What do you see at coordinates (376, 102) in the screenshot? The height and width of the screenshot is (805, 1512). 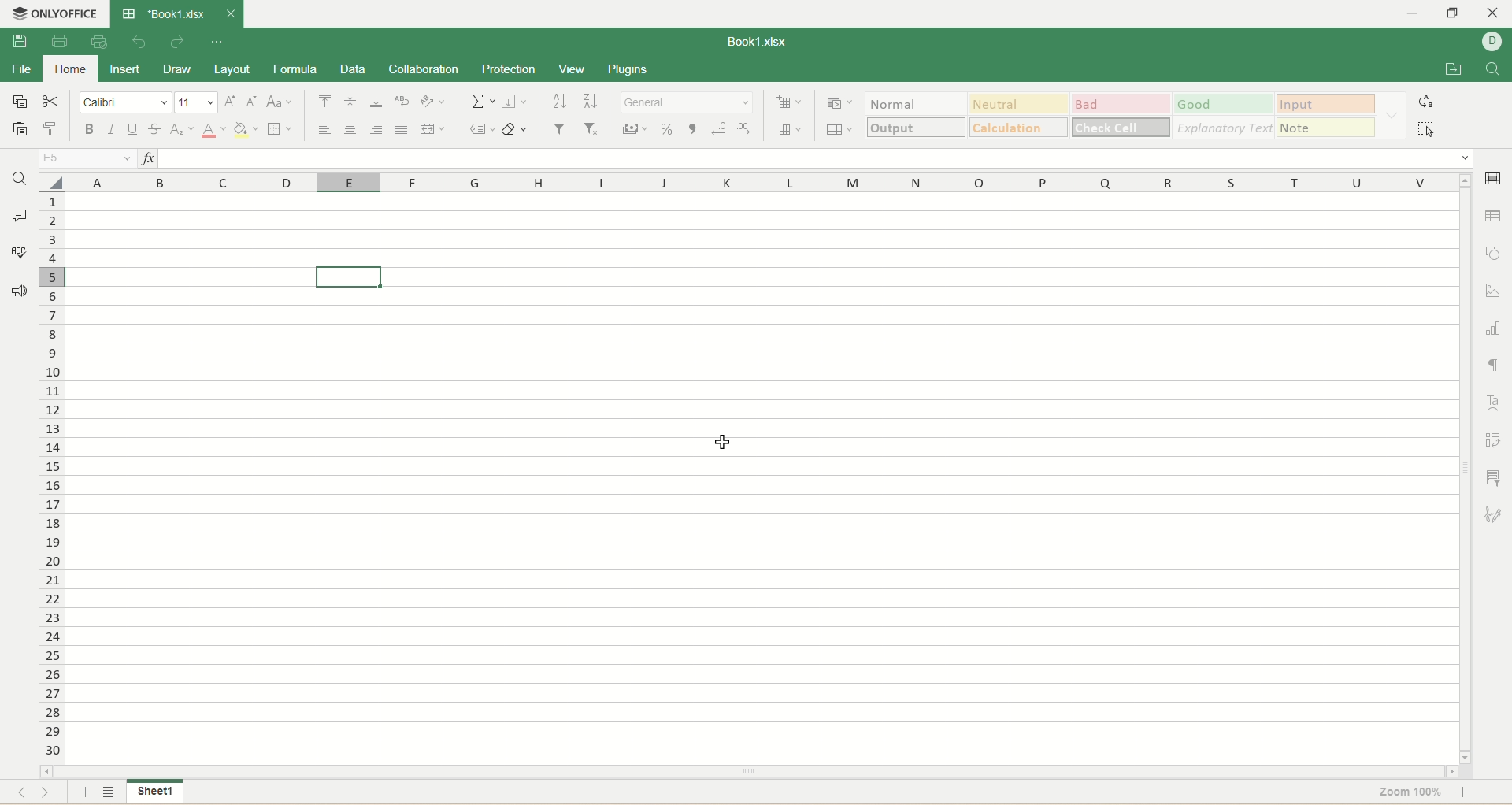 I see `align bottom` at bounding box center [376, 102].